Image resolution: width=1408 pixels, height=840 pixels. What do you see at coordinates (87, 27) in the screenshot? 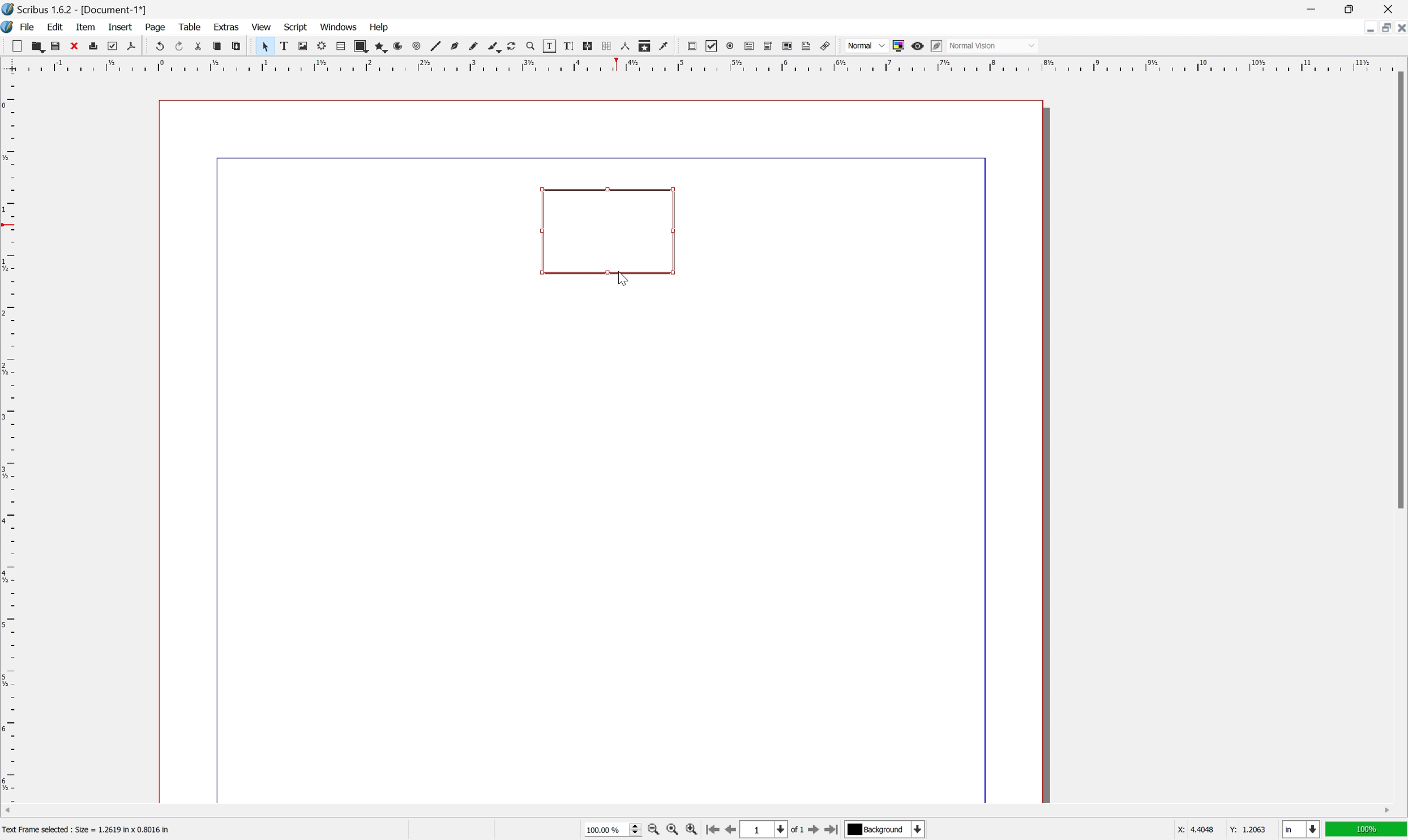
I see `item` at bounding box center [87, 27].